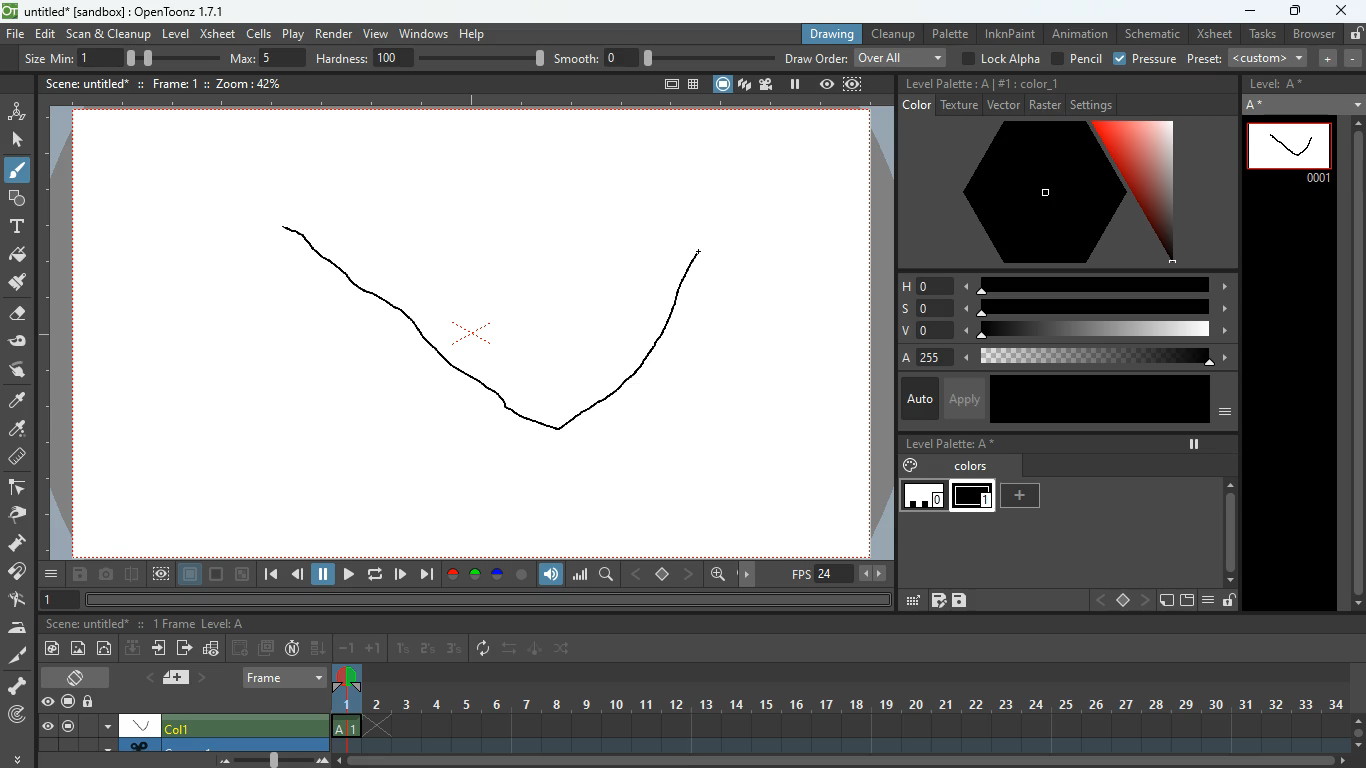 The width and height of the screenshot is (1366, 768). Describe the element at coordinates (108, 725) in the screenshot. I see `more options` at that location.